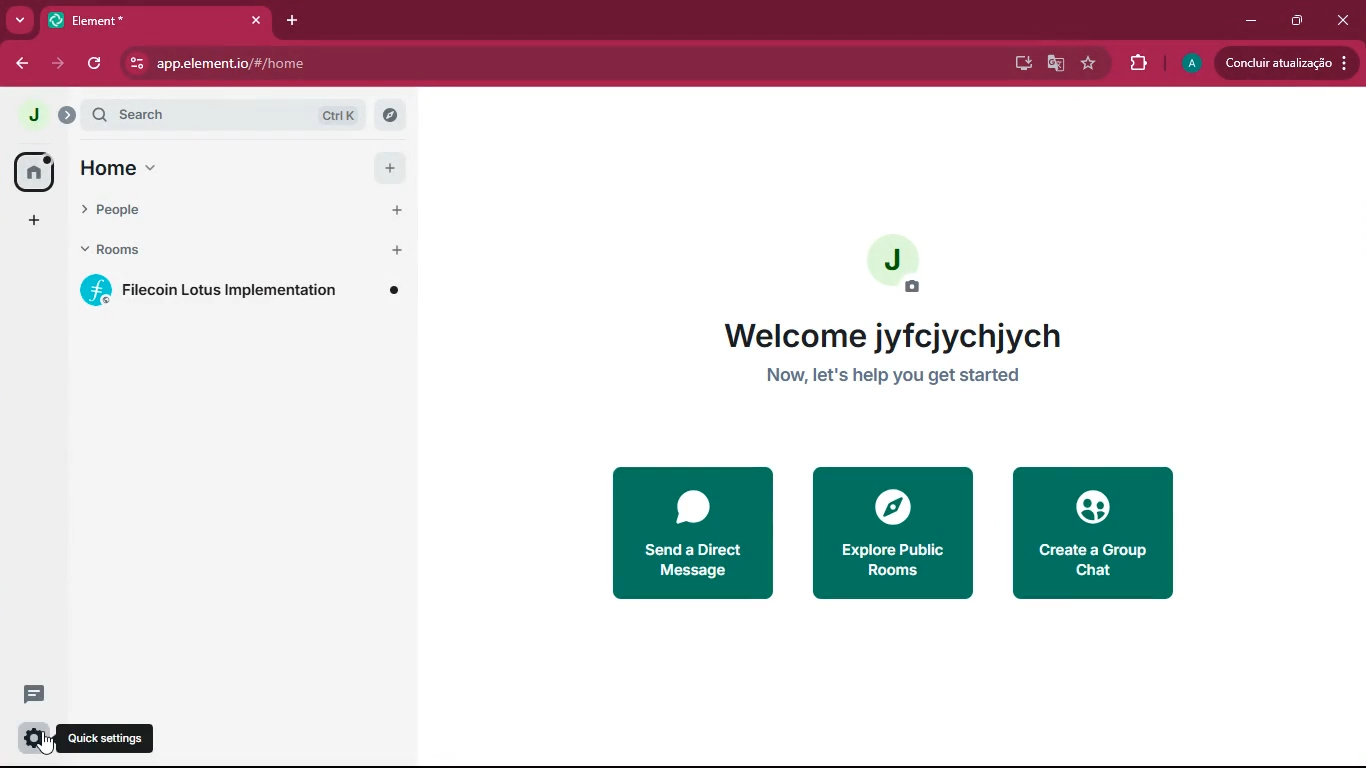 This screenshot has width=1366, height=768. I want to click on send, so click(693, 533).